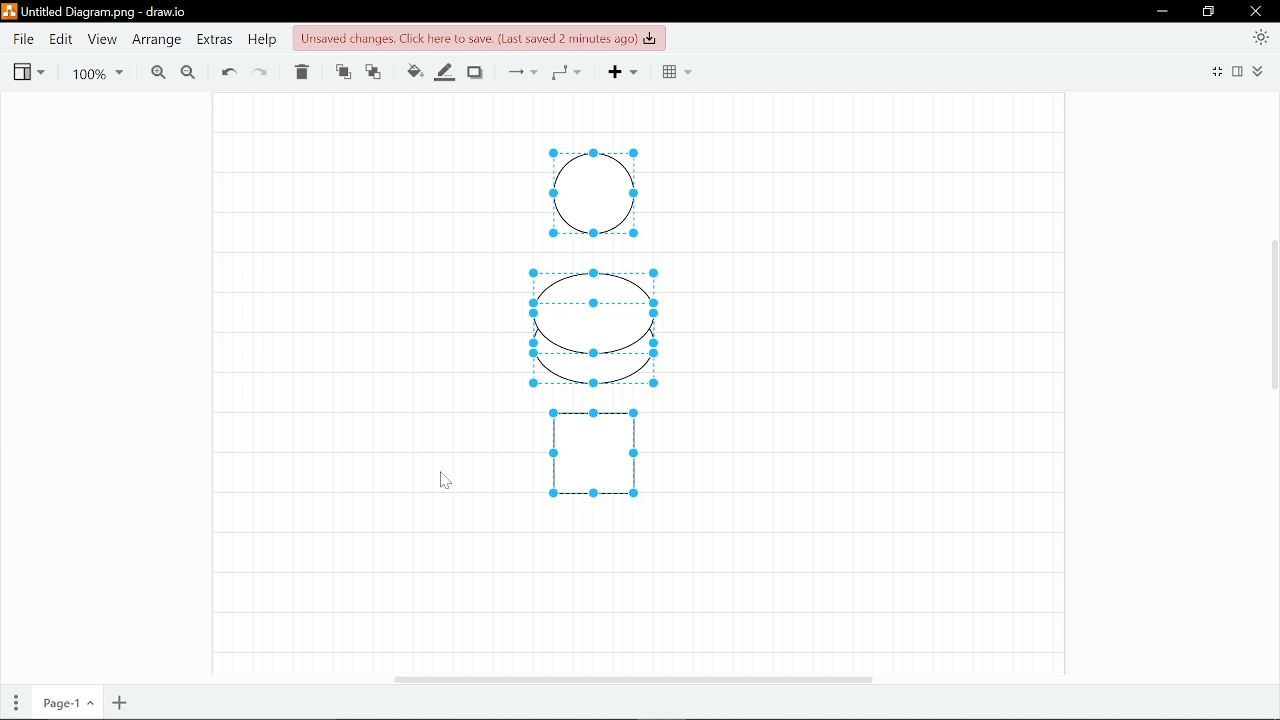 This screenshot has height=720, width=1280. What do you see at coordinates (675, 72) in the screenshot?
I see `Grid` at bounding box center [675, 72].